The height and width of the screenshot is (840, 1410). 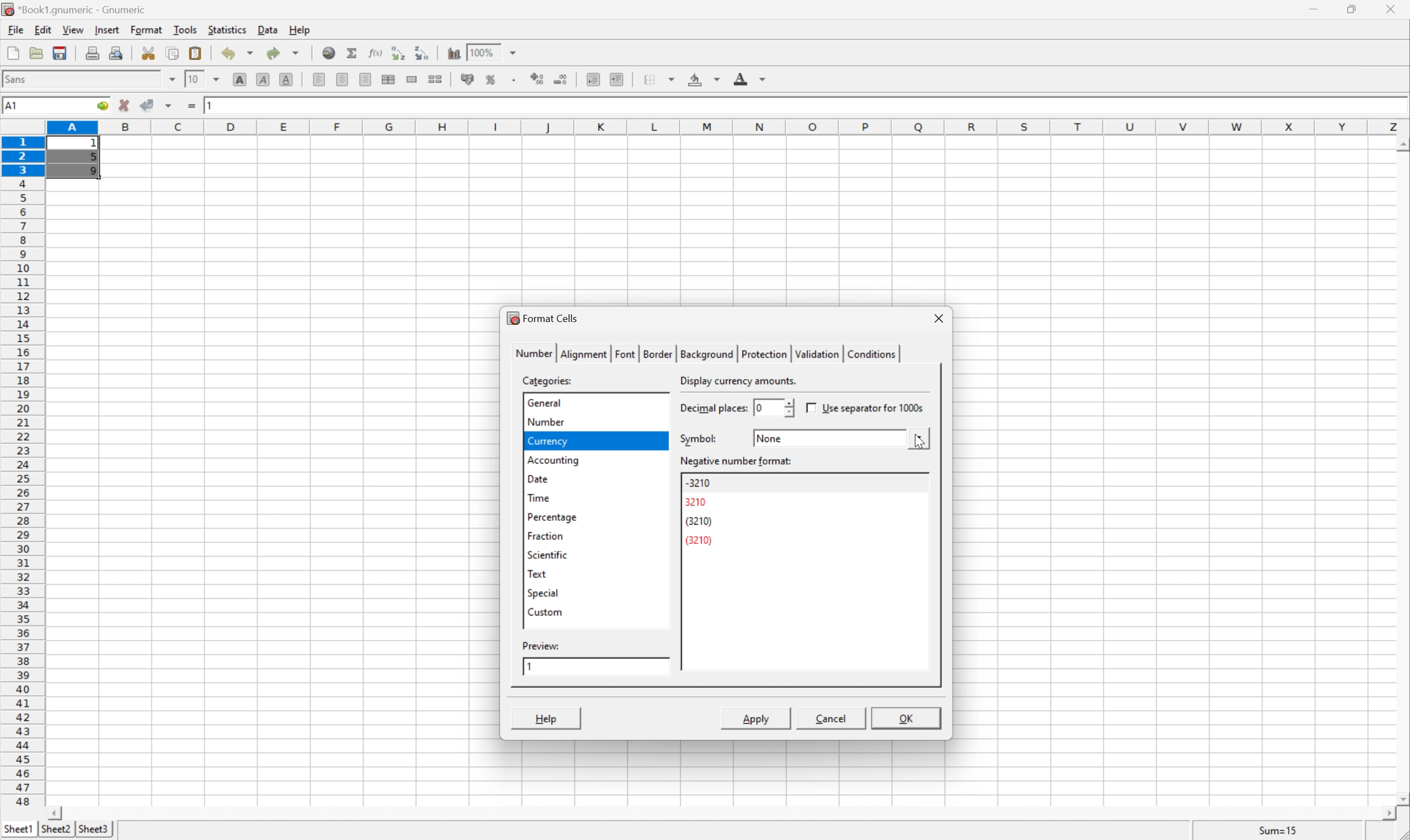 What do you see at coordinates (656, 353) in the screenshot?
I see `border` at bounding box center [656, 353].